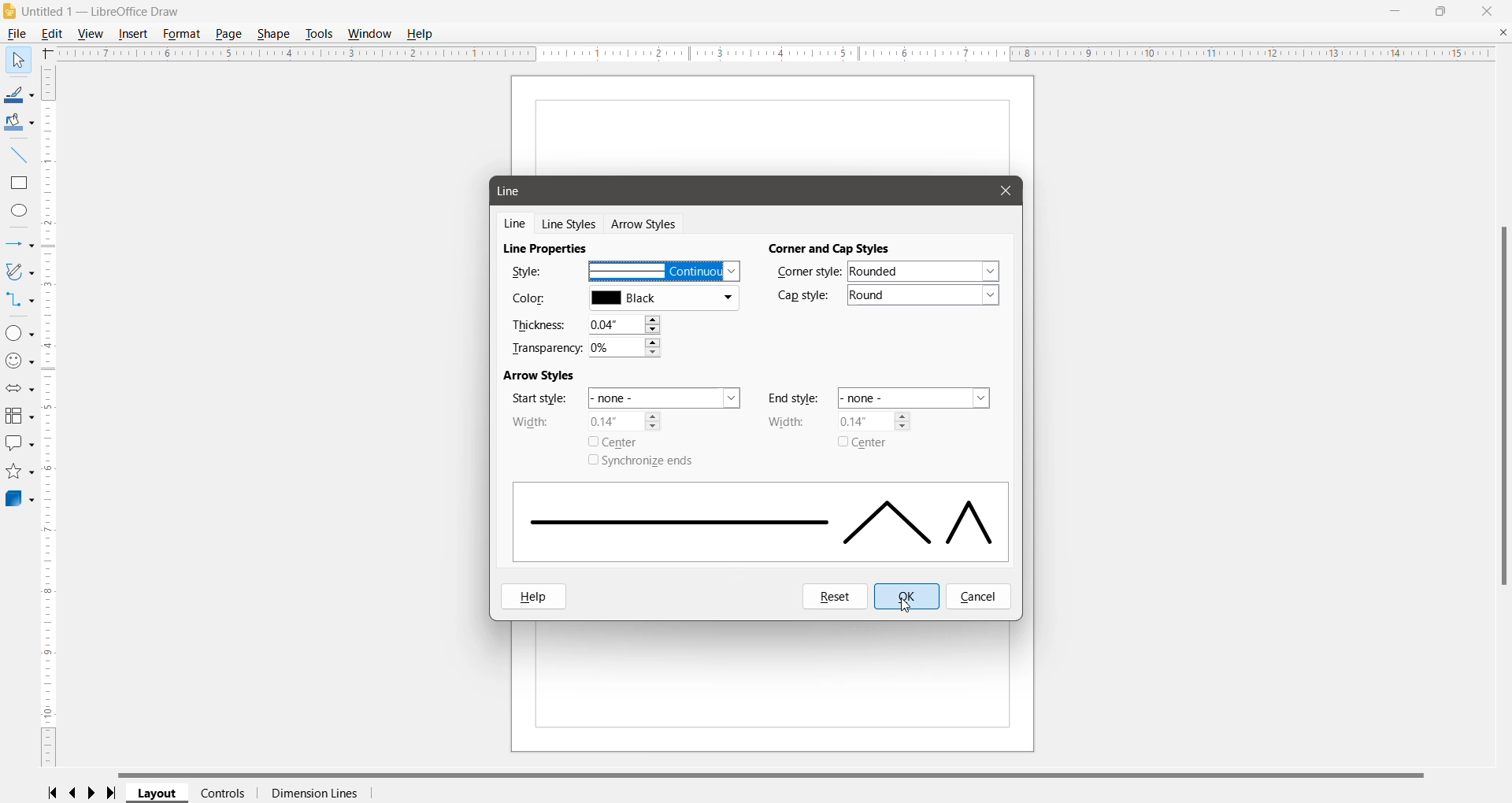 Image resolution: width=1512 pixels, height=803 pixels. What do you see at coordinates (20, 443) in the screenshot?
I see `Callout Shapes` at bounding box center [20, 443].